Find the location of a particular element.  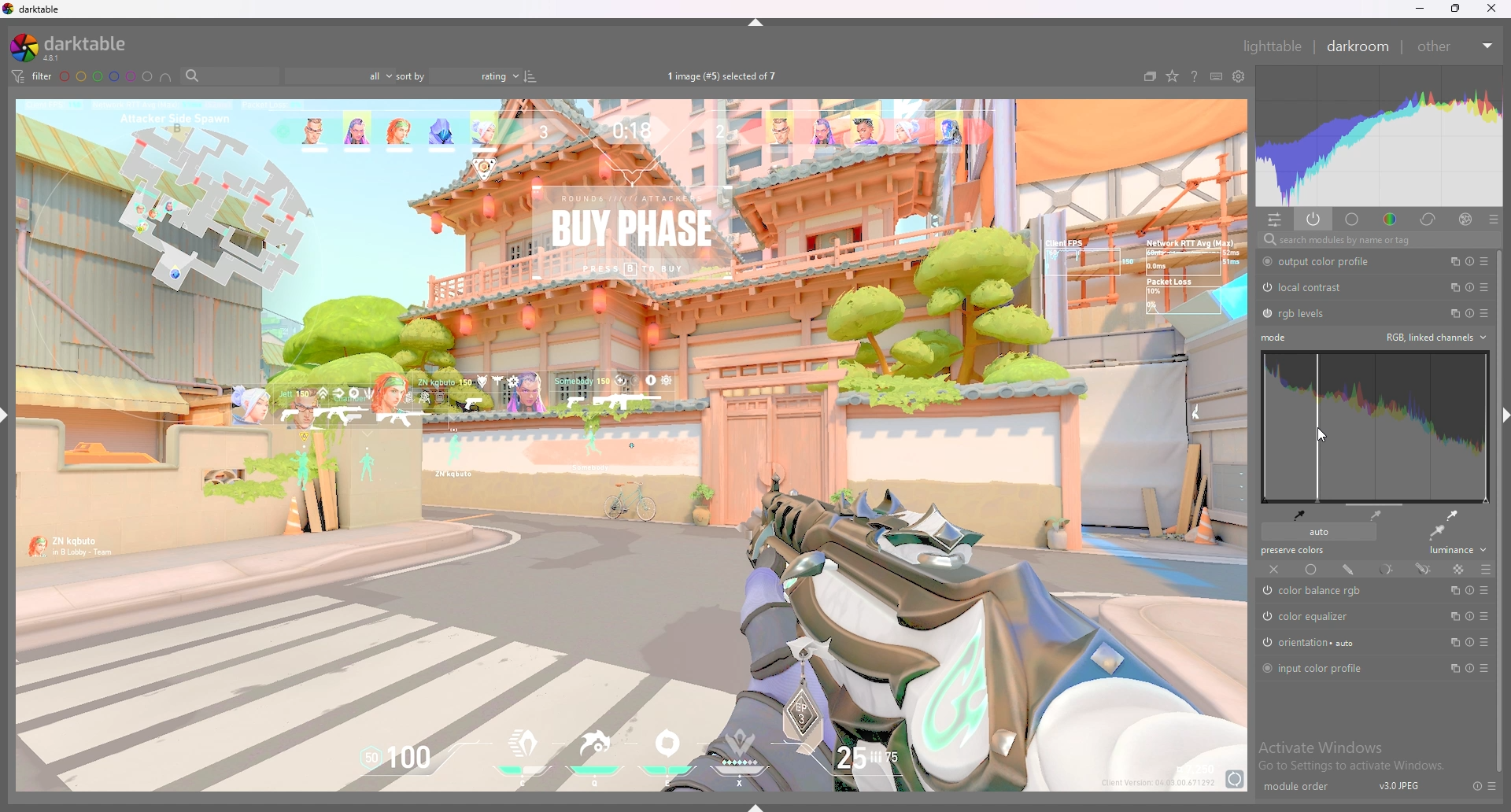

image is located at coordinates (633, 447).